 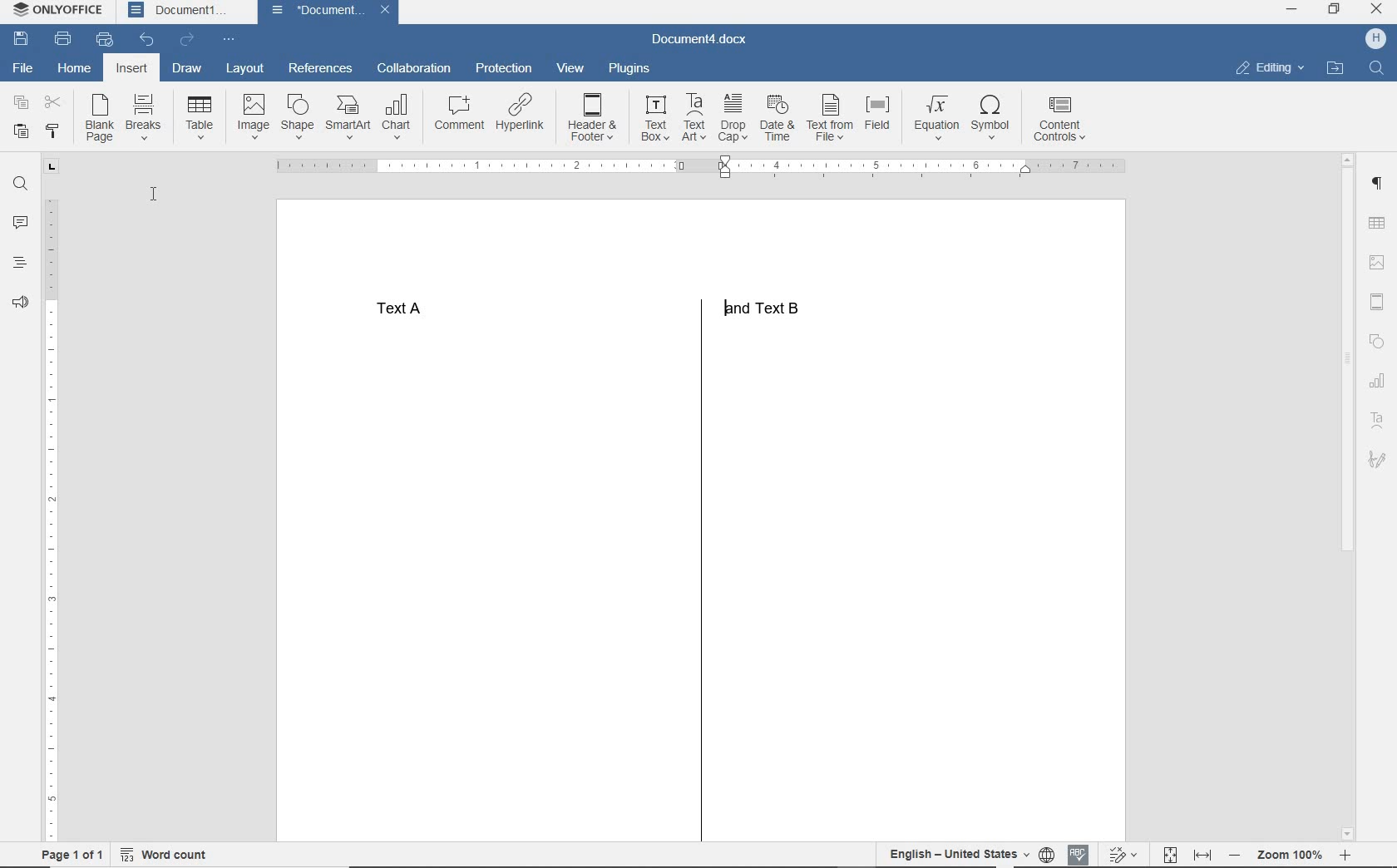 What do you see at coordinates (1291, 11) in the screenshot?
I see `minimize` at bounding box center [1291, 11].